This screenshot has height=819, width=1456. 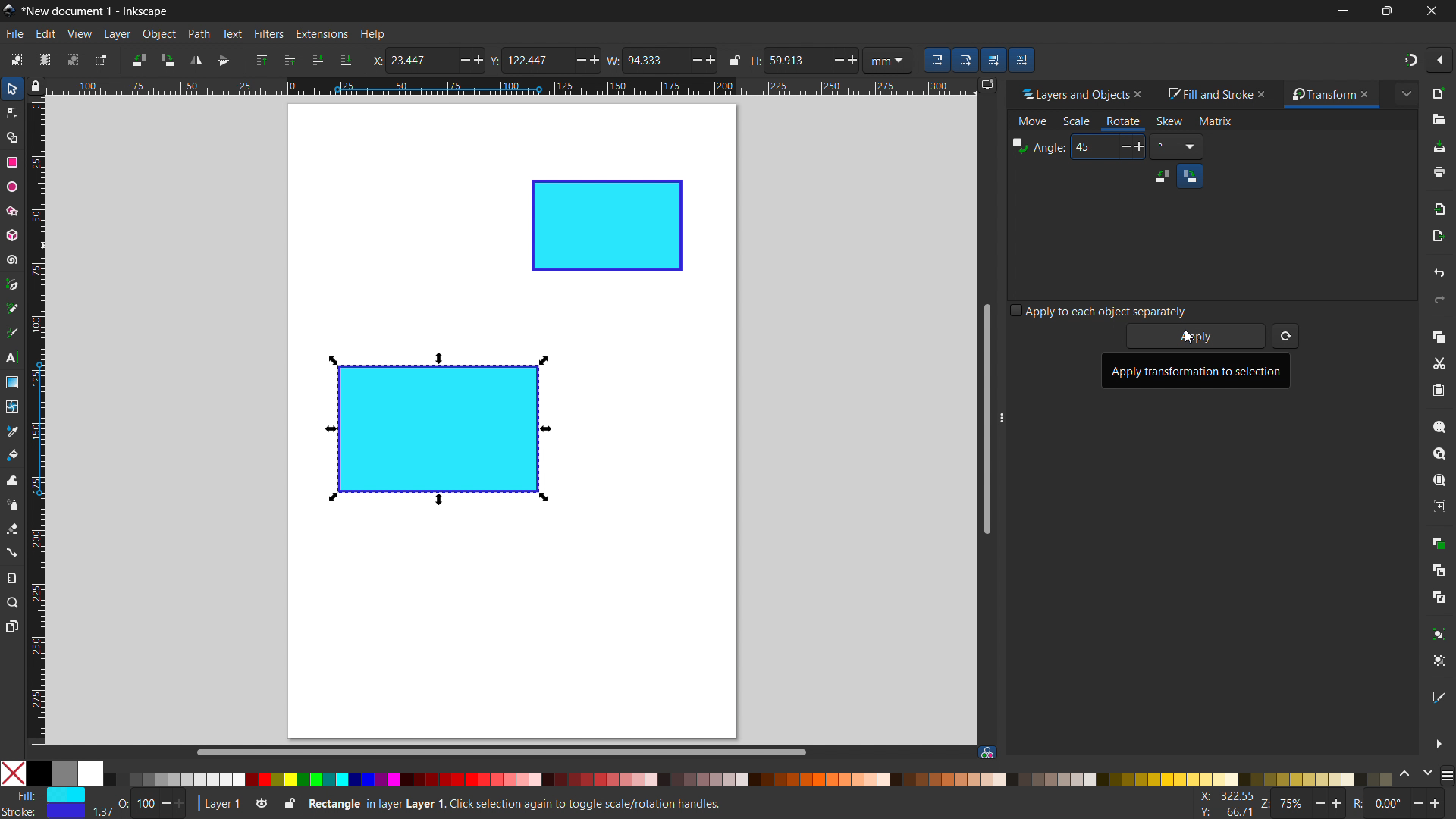 I want to click on lower, so click(x=318, y=59).